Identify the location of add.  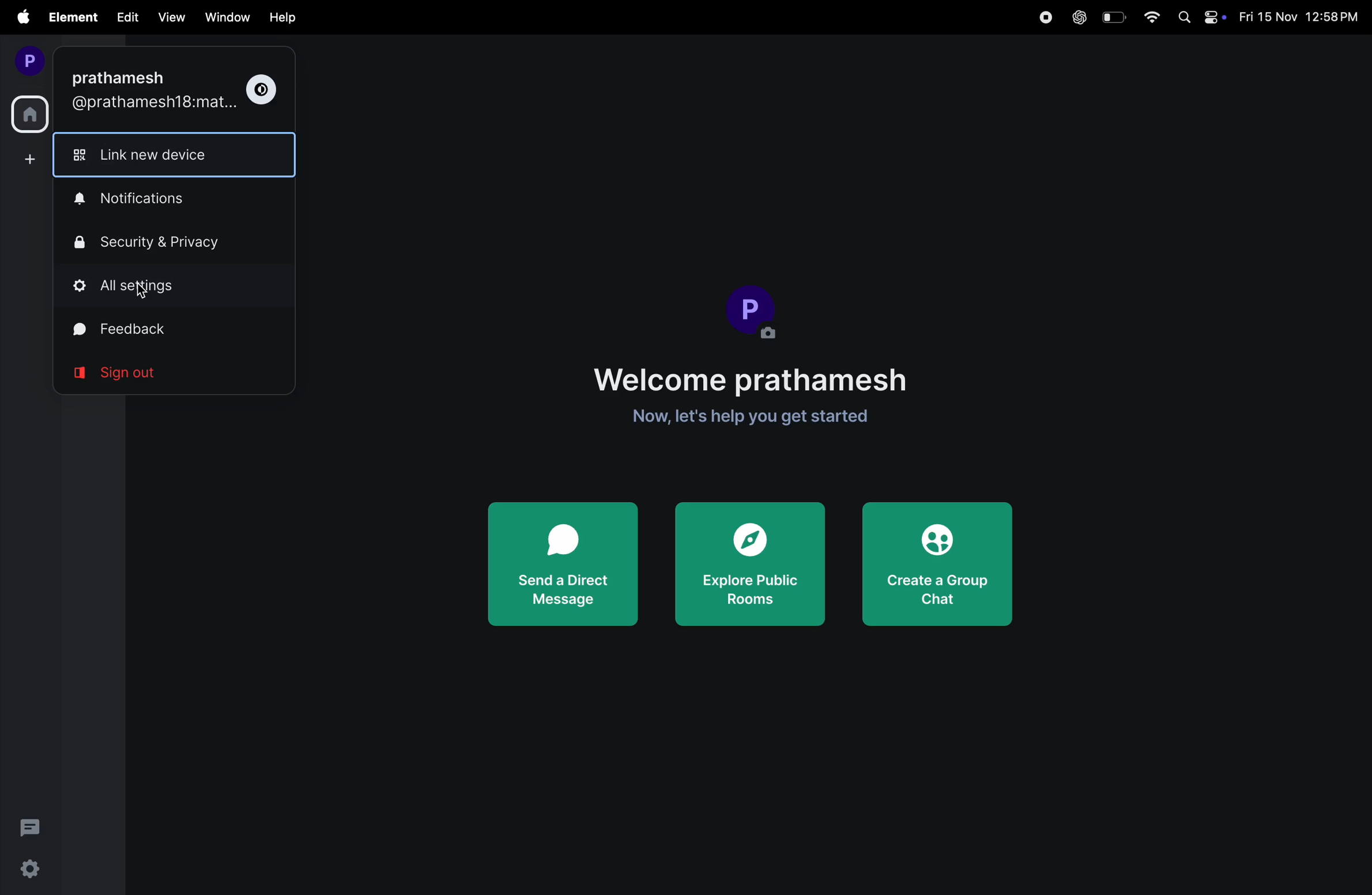
(27, 159).